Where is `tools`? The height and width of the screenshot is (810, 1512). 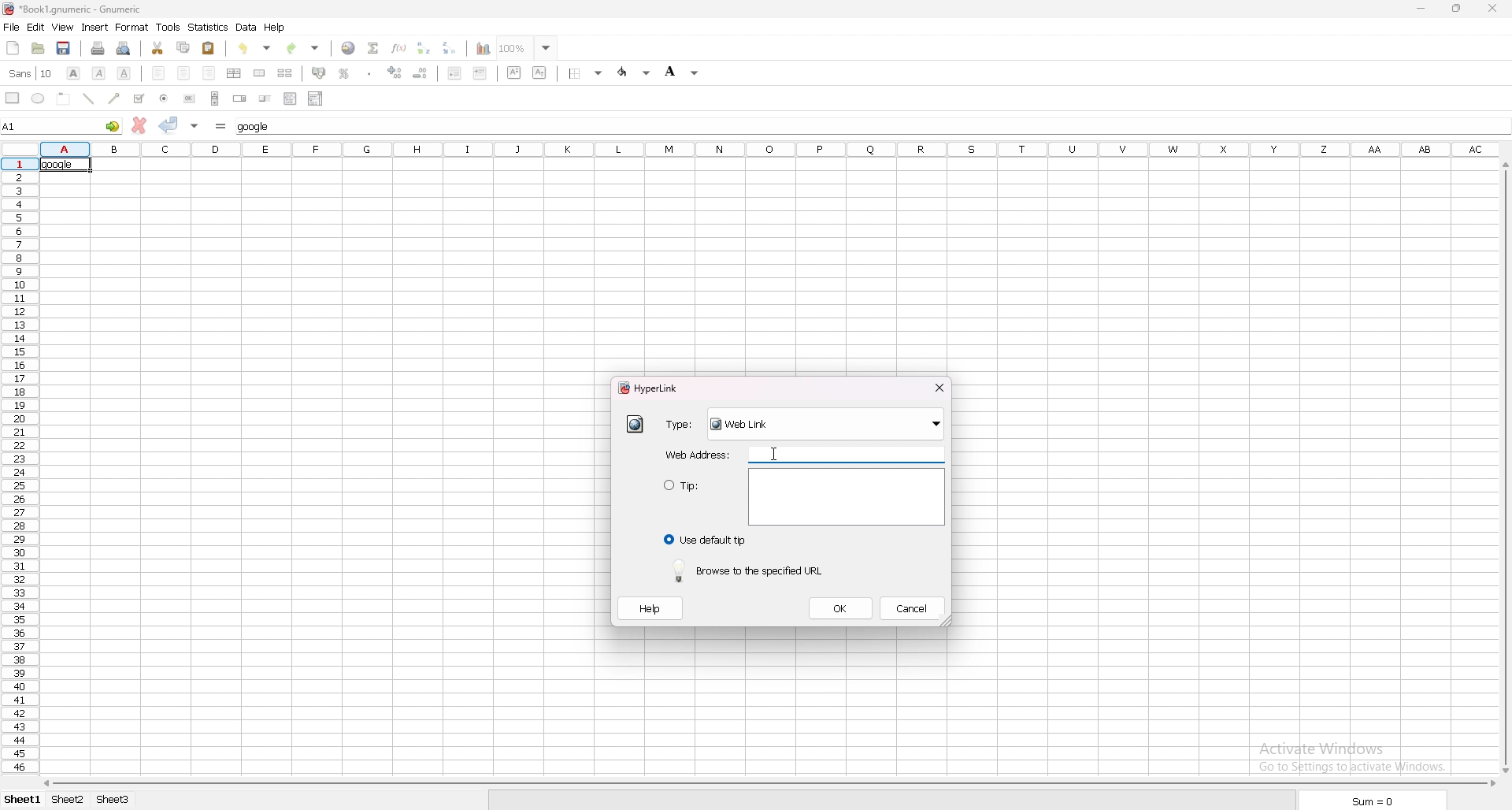
tools is located at coordinates (168, 27).